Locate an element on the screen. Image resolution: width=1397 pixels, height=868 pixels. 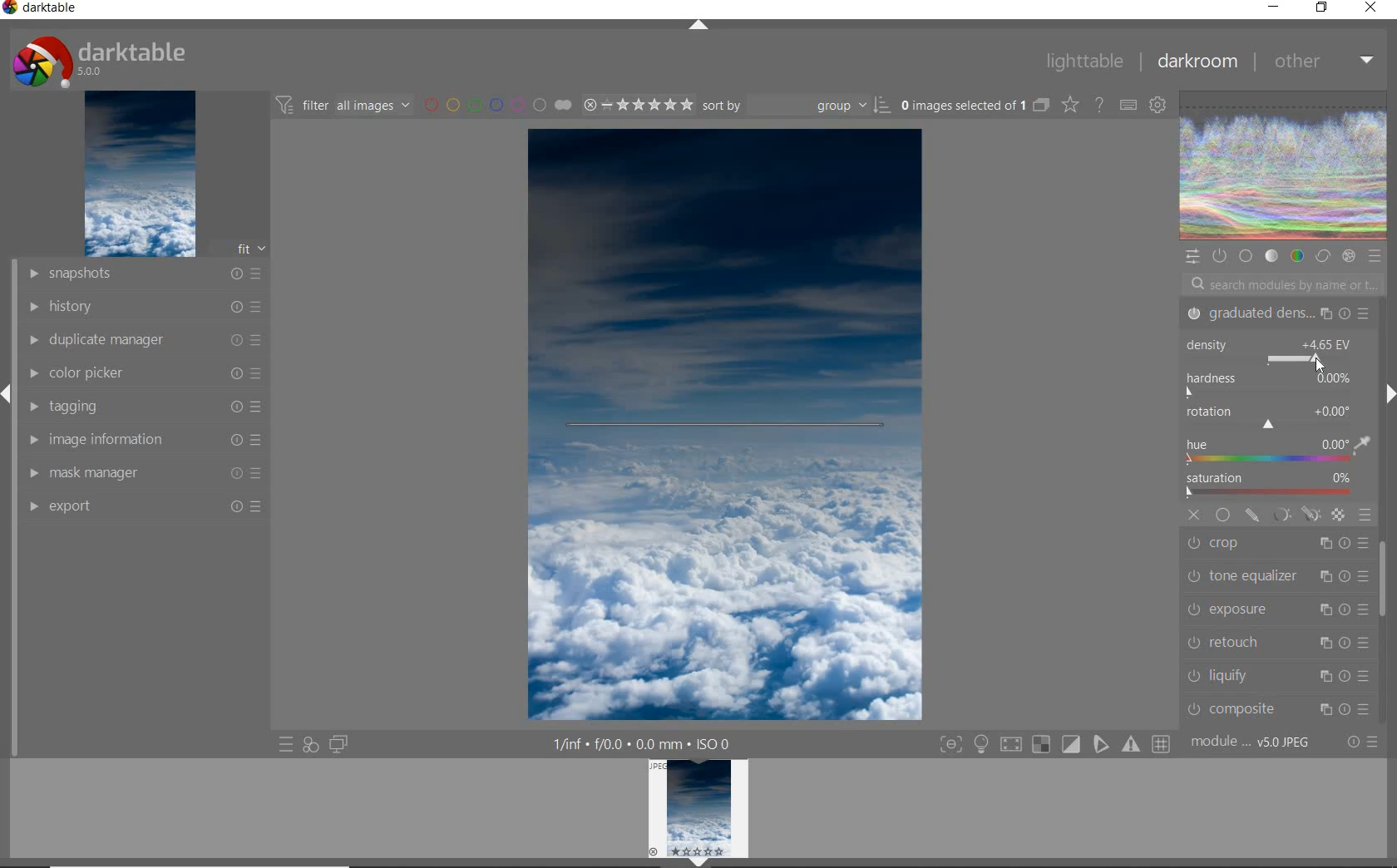
retouch is located at coordinates (1276, 642).